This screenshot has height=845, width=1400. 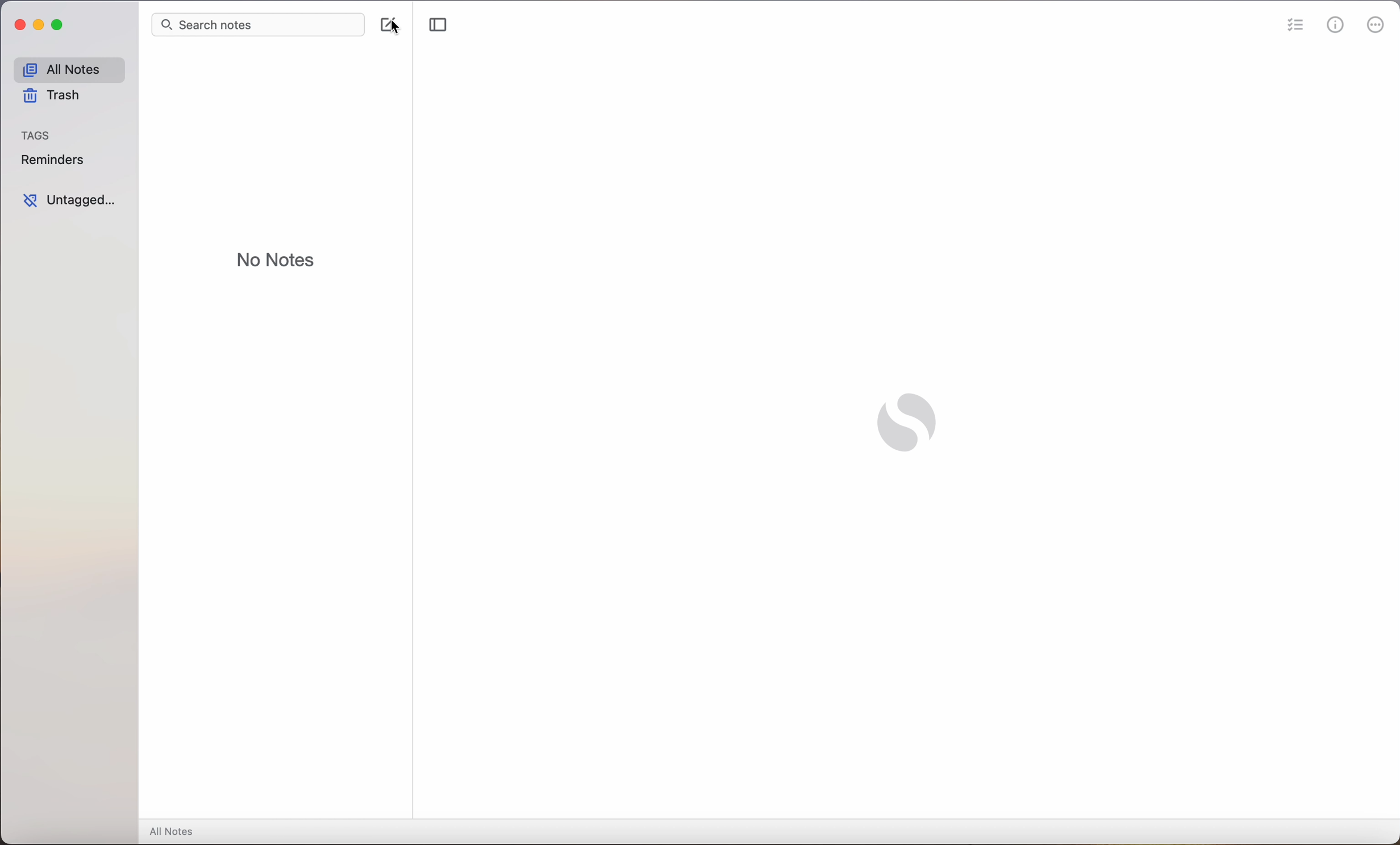 What do you see at coordinates (391, 28) in the screenshot?
I see `click on create note` at bounding box center [391, 28].